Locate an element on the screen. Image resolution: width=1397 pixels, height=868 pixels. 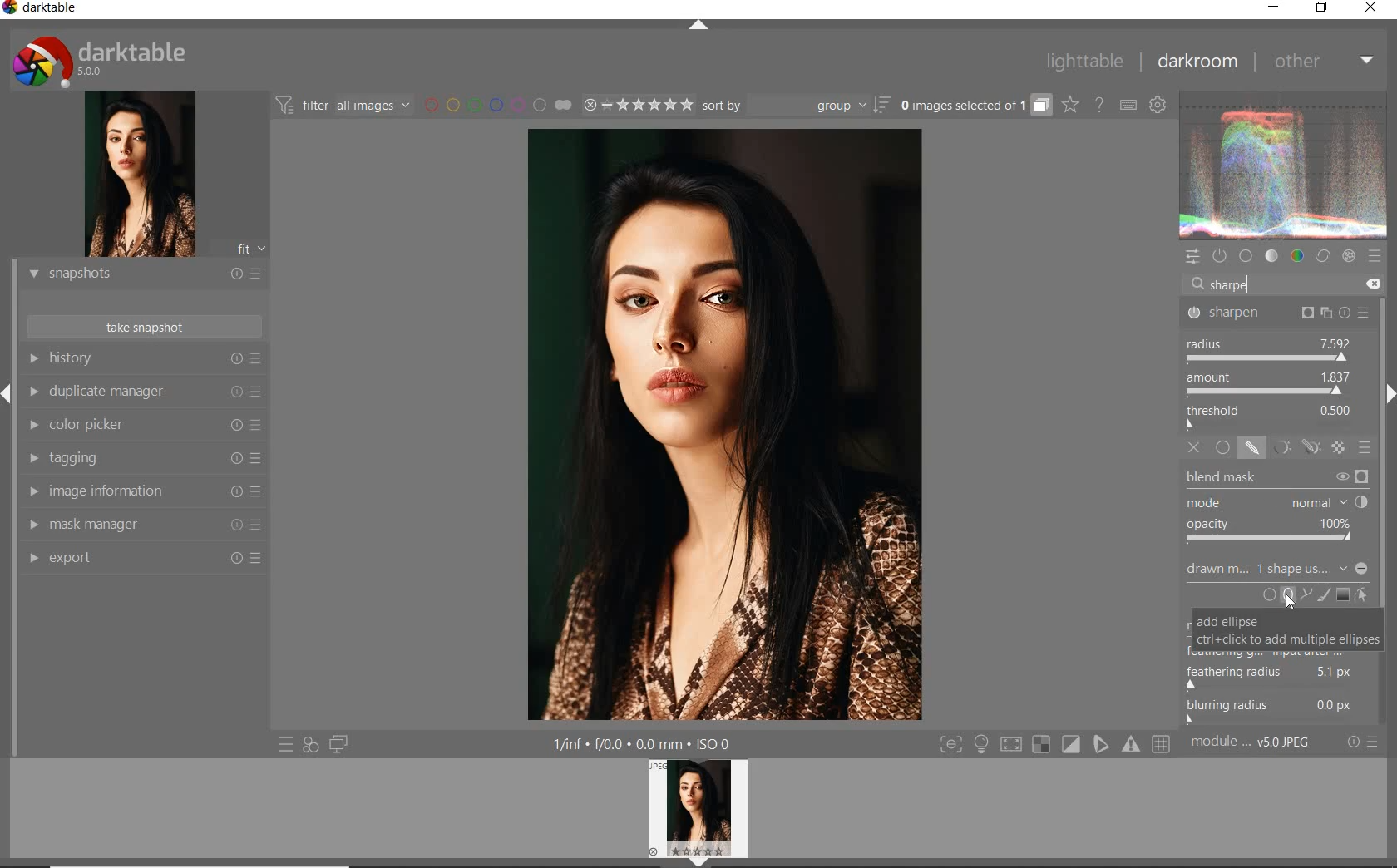
color is located at coordinates (1296, 257).